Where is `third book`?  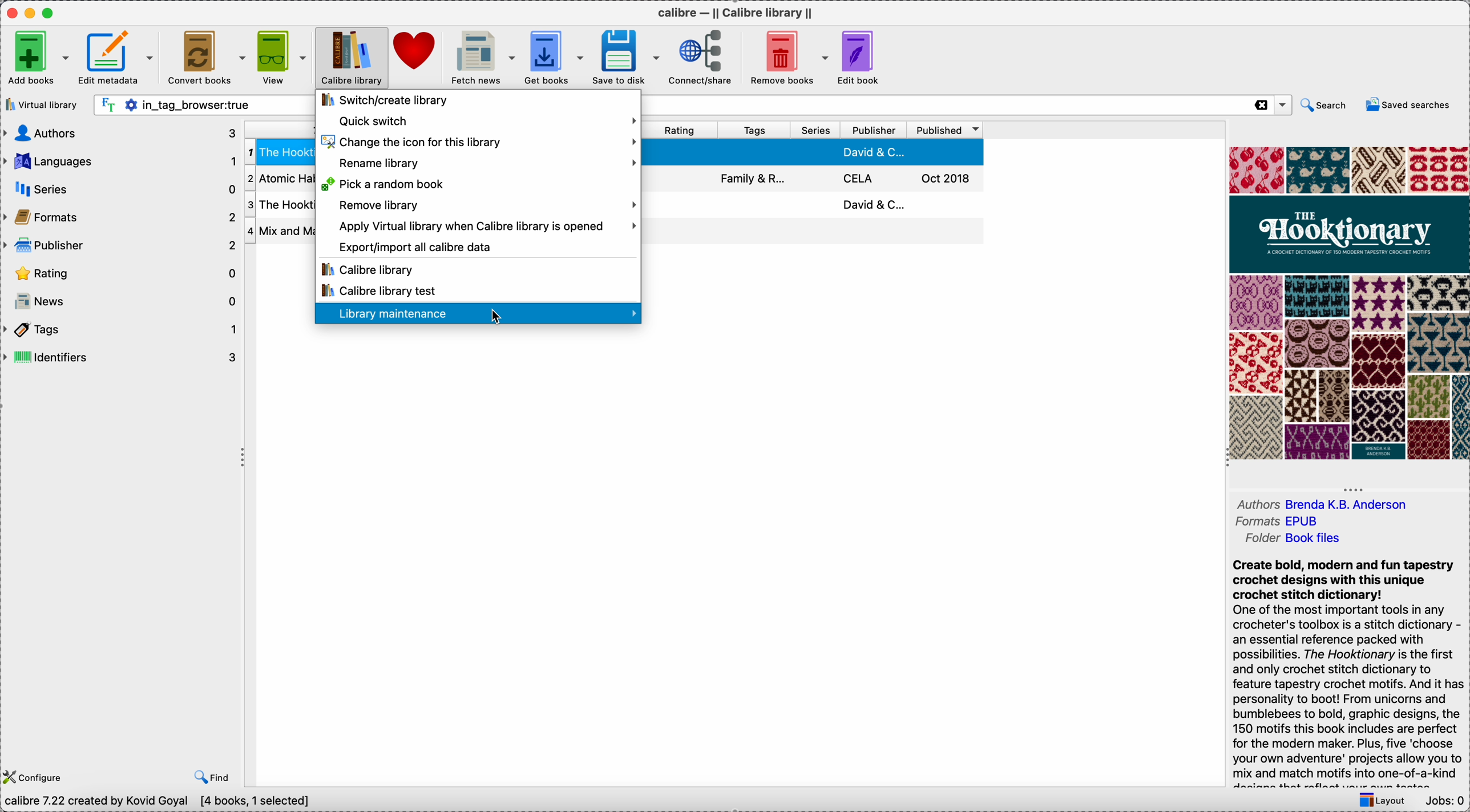 third book is located at coordinates (818, 207).